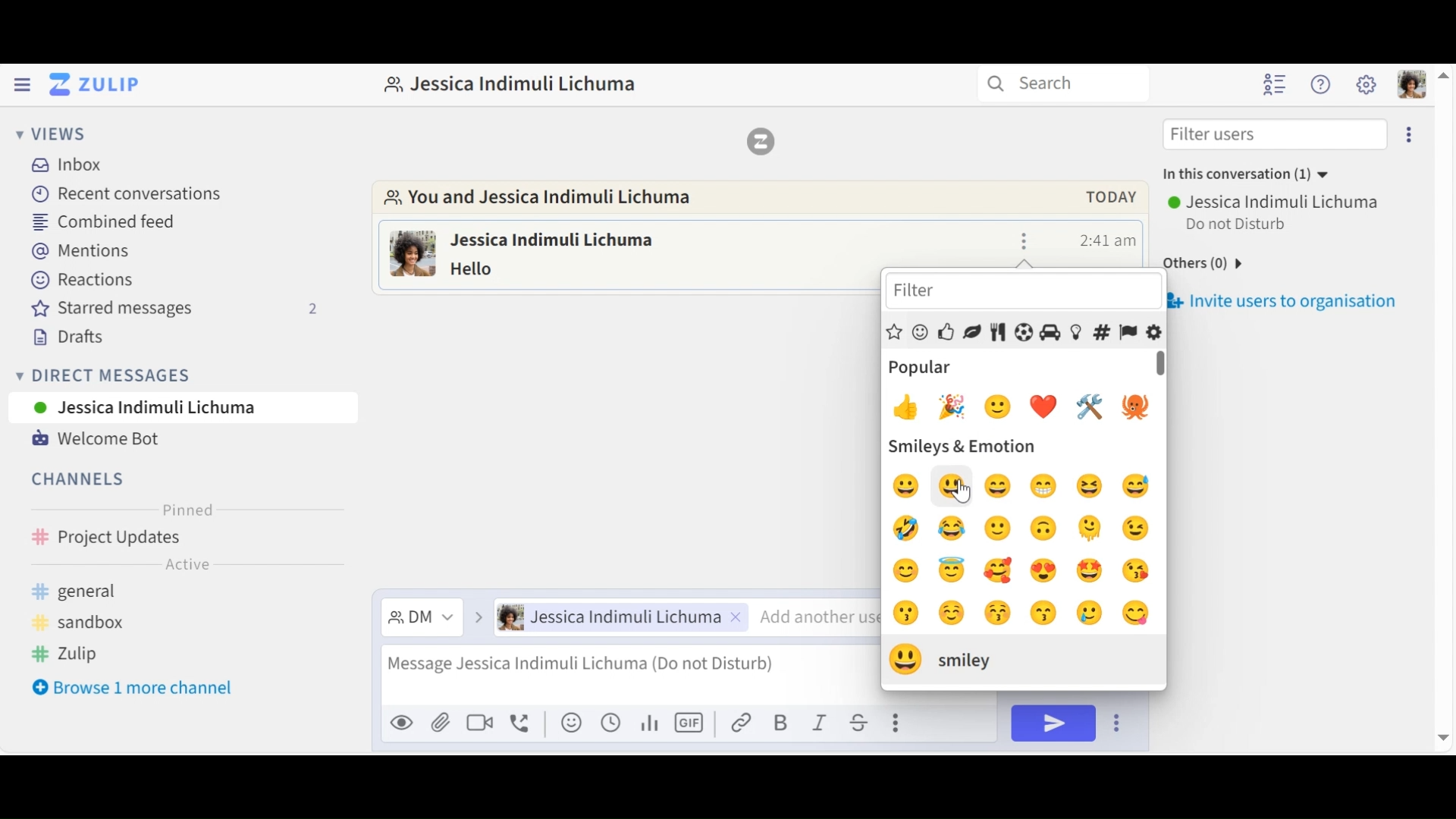 The height and width of the screenshot is (819, 1456). What do you see at coordinates (921, 368) in the screenshot?
I see `Popular` at bounding box center [921, 368].